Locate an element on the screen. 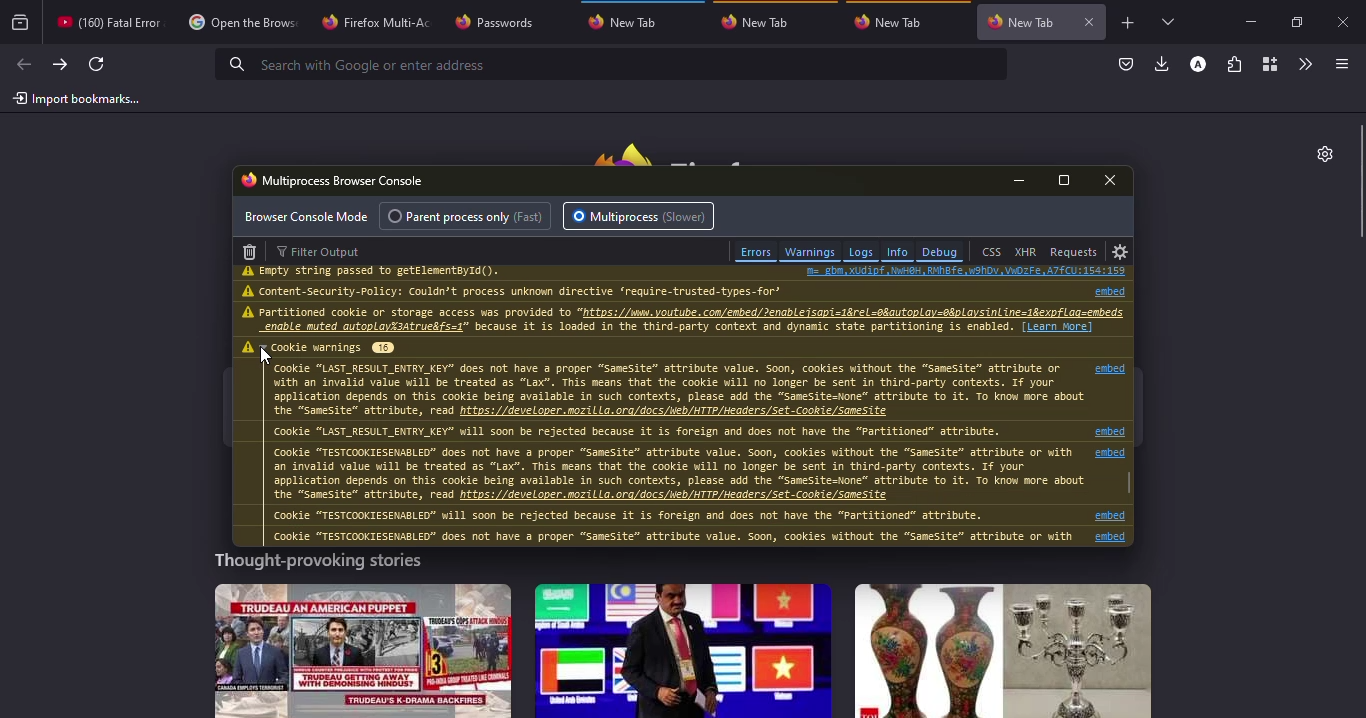 The image size is (1366, 718). debug is located at coordinates (940, 252).